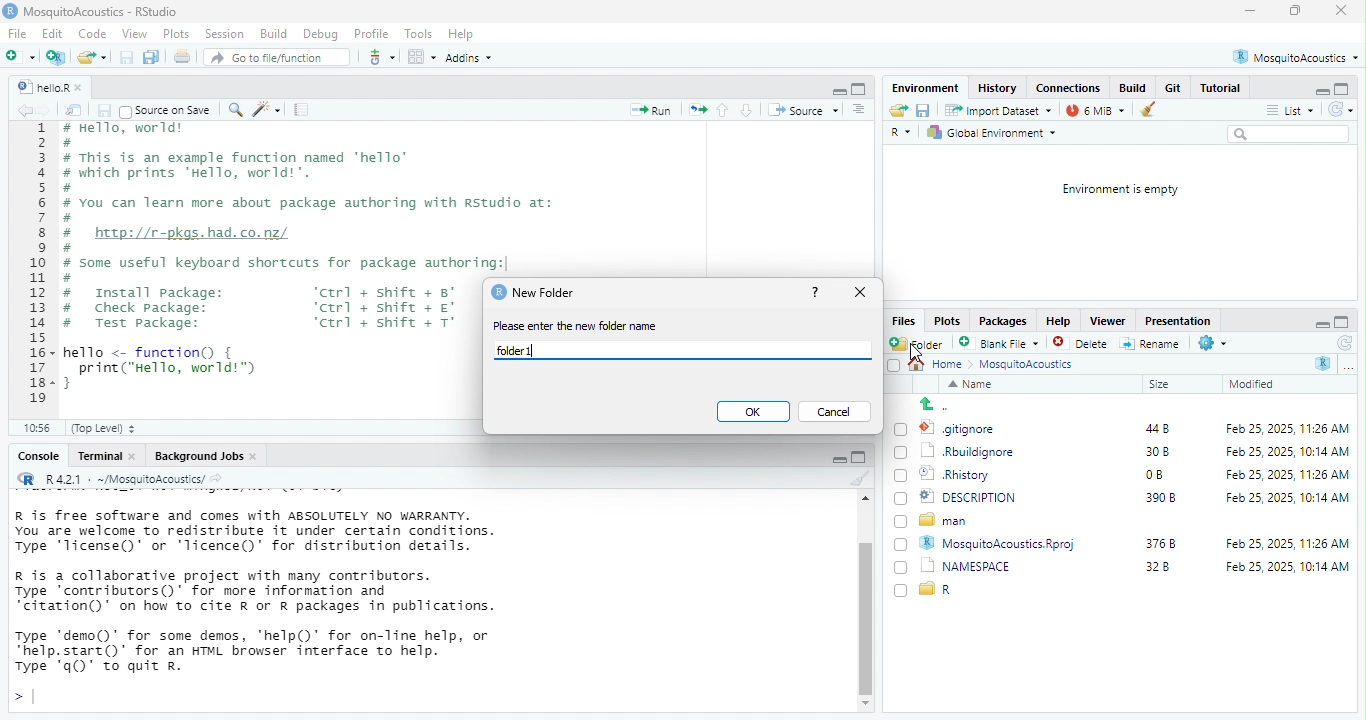  Describe the element at coordinates (900, 112) in the screenshot. I see `open an existing file` at that location.